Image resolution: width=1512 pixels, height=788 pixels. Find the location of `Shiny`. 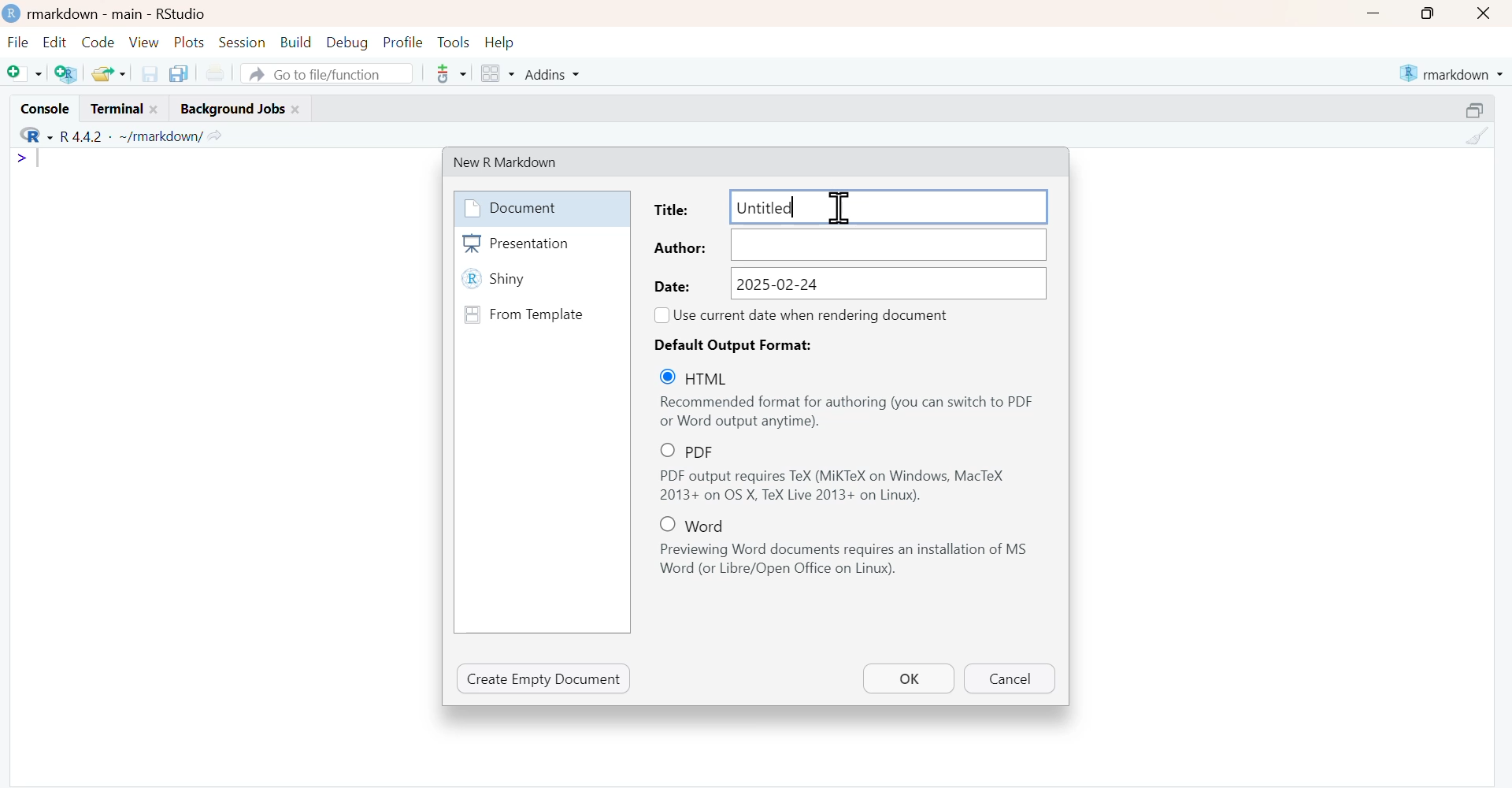

Shiny is located at coordinates (541, 281).